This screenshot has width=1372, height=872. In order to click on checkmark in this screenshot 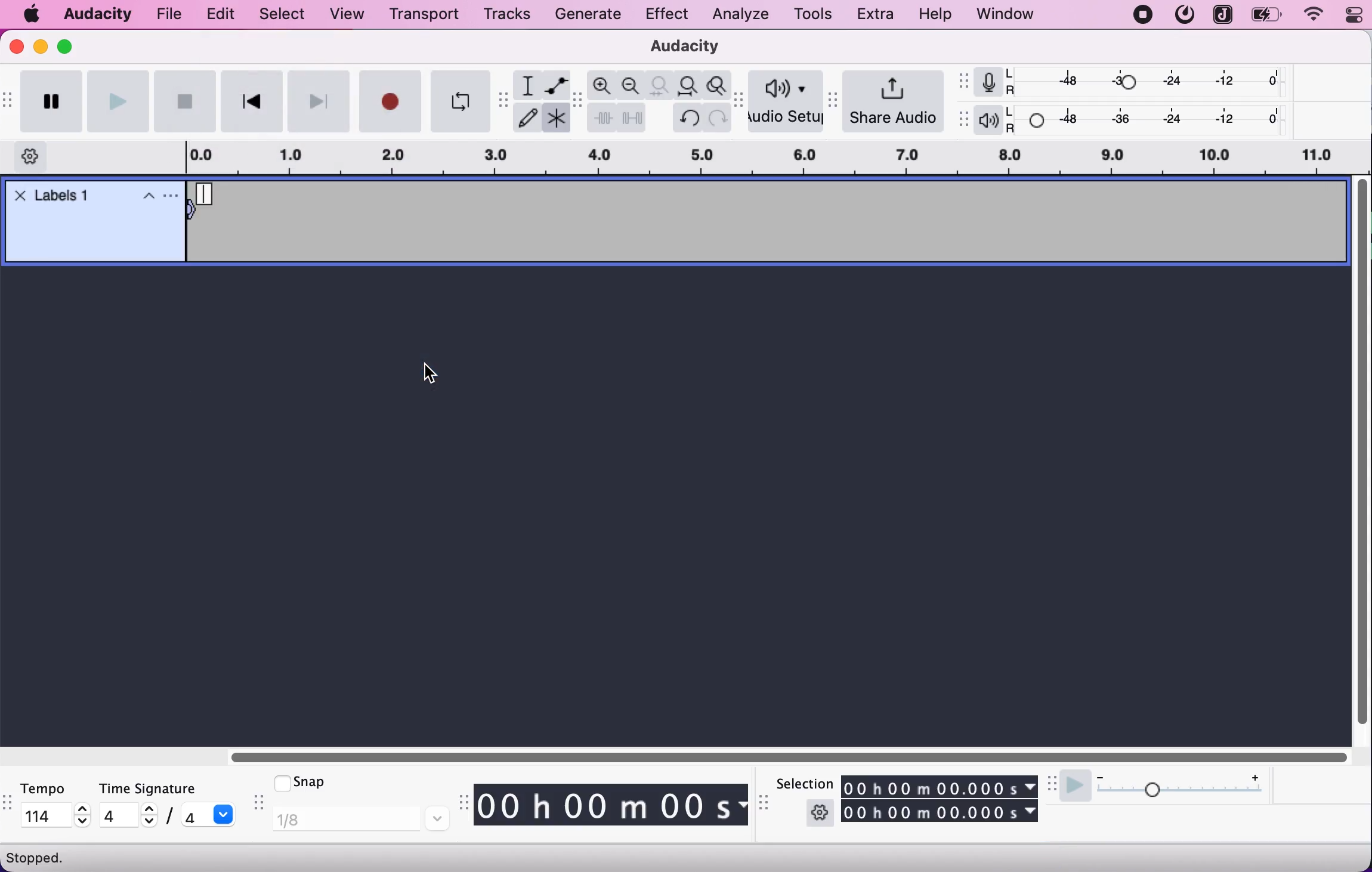, I will do `click(280, 782)`.